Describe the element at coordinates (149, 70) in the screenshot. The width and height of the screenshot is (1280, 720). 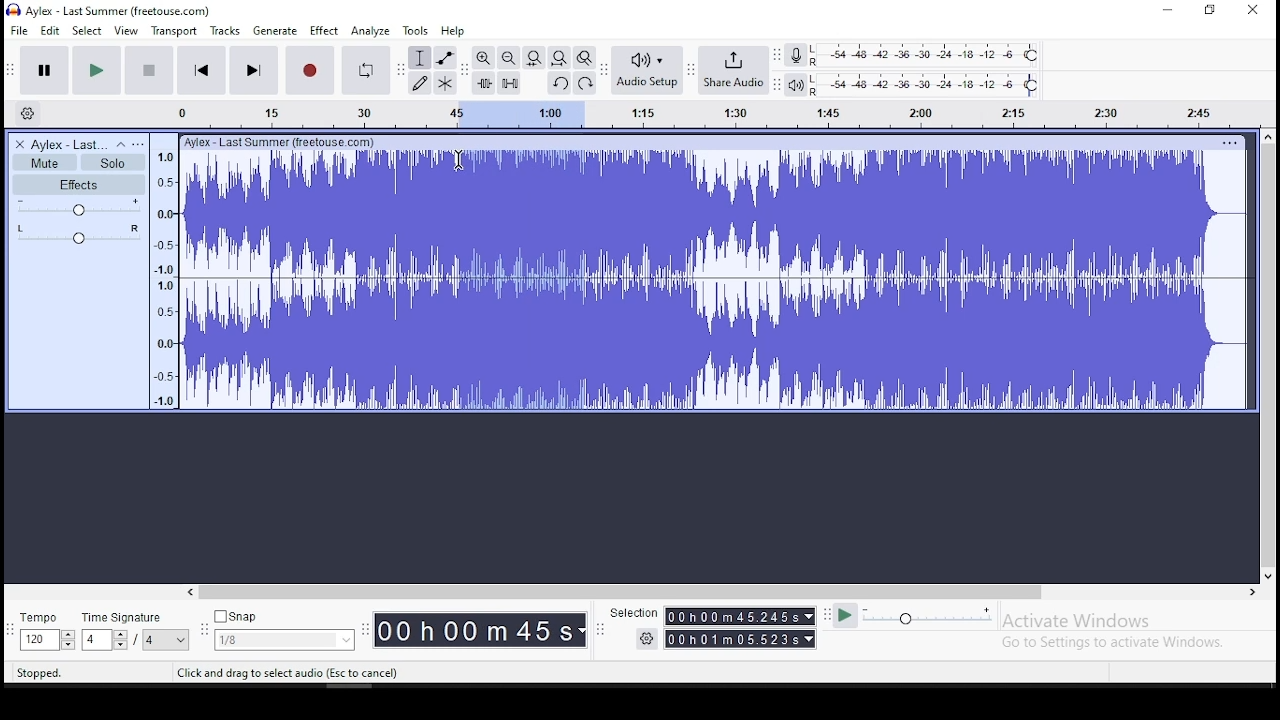
I see `stop` at that location.